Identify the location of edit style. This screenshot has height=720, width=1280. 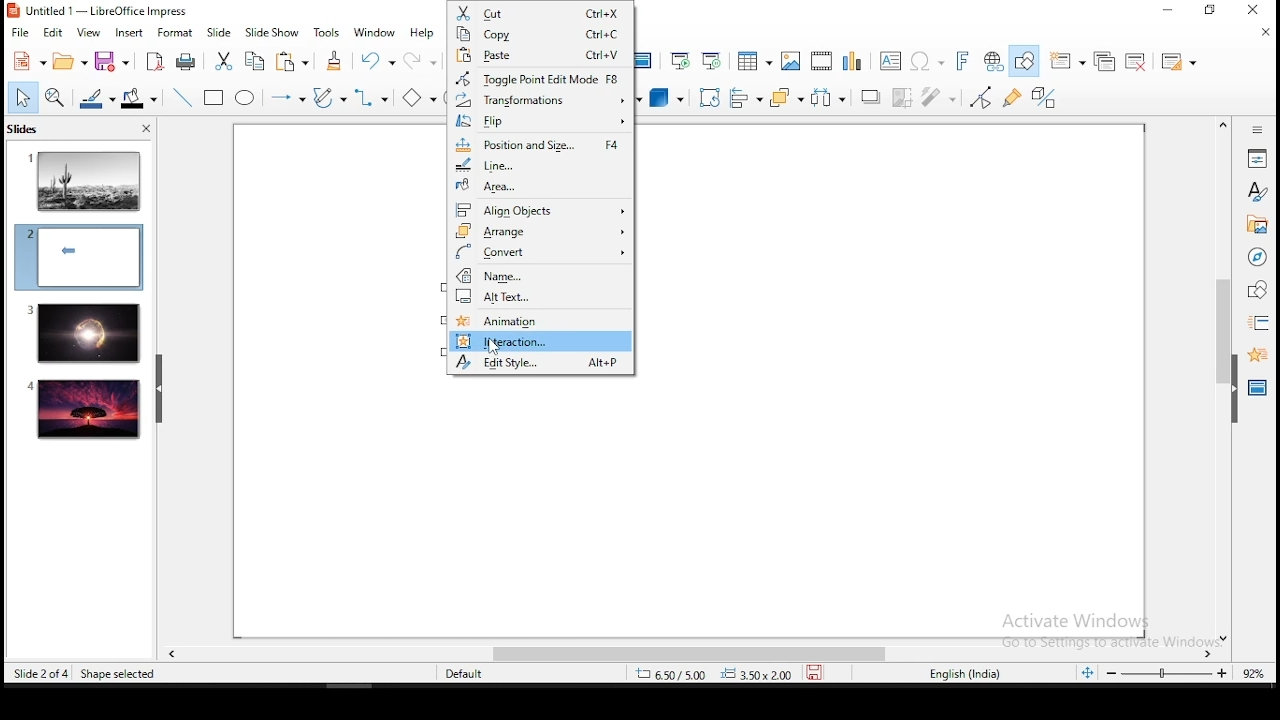
(542, 363).